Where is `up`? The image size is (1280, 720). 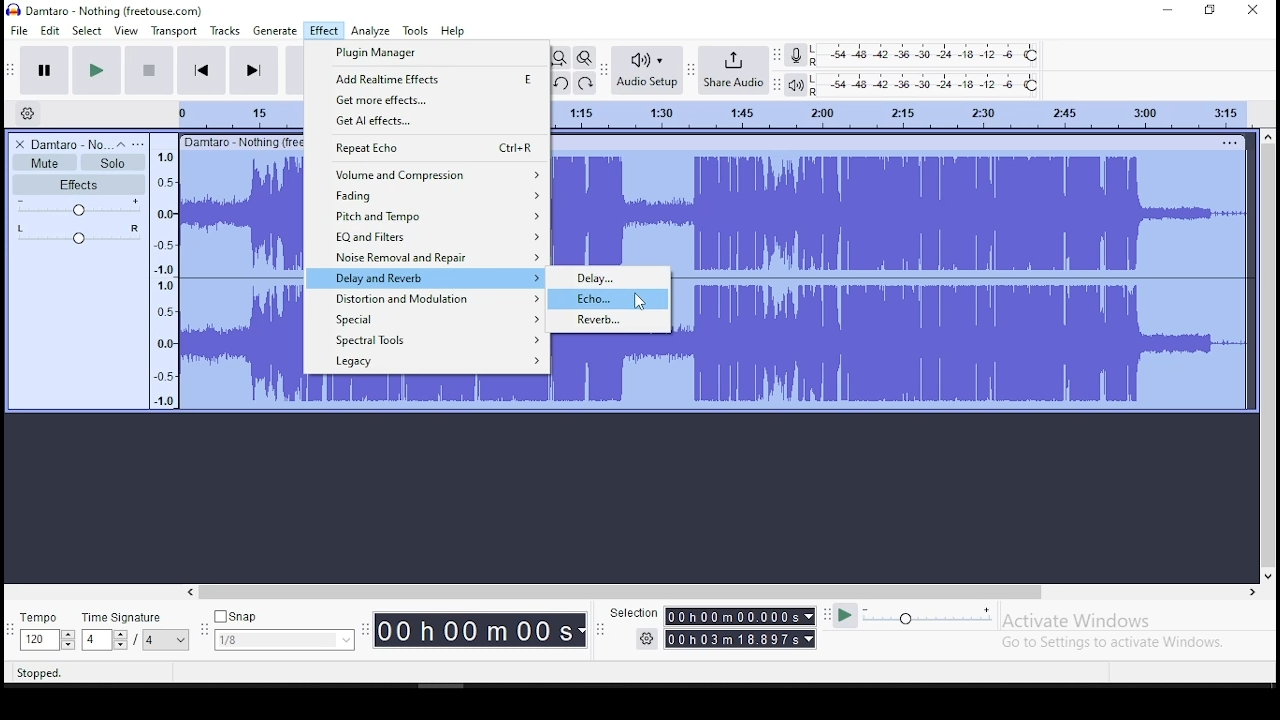 up is located at coordinates (1268, 136).